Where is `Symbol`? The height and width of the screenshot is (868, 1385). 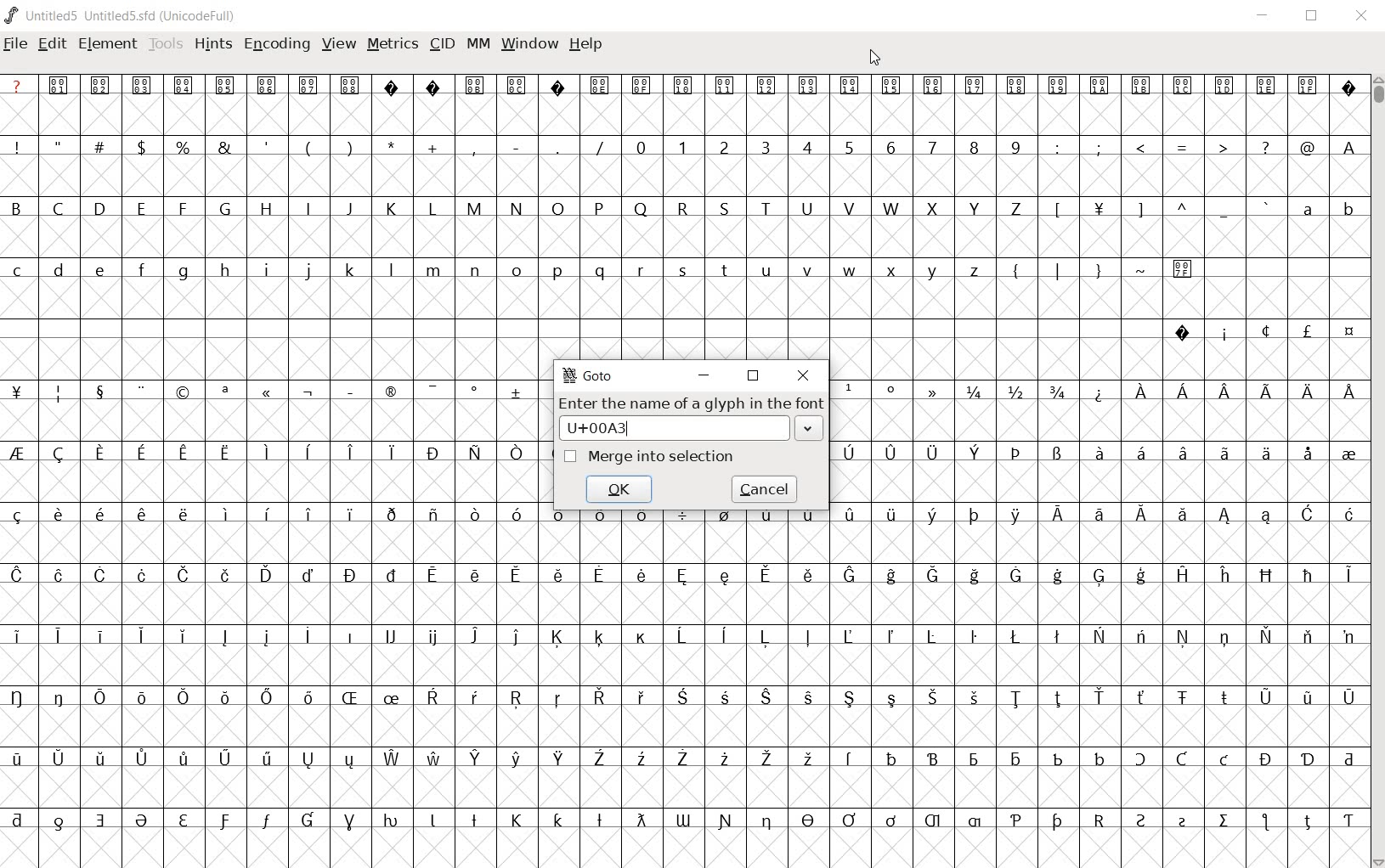 Symbol is located at coordinates (644, 86).